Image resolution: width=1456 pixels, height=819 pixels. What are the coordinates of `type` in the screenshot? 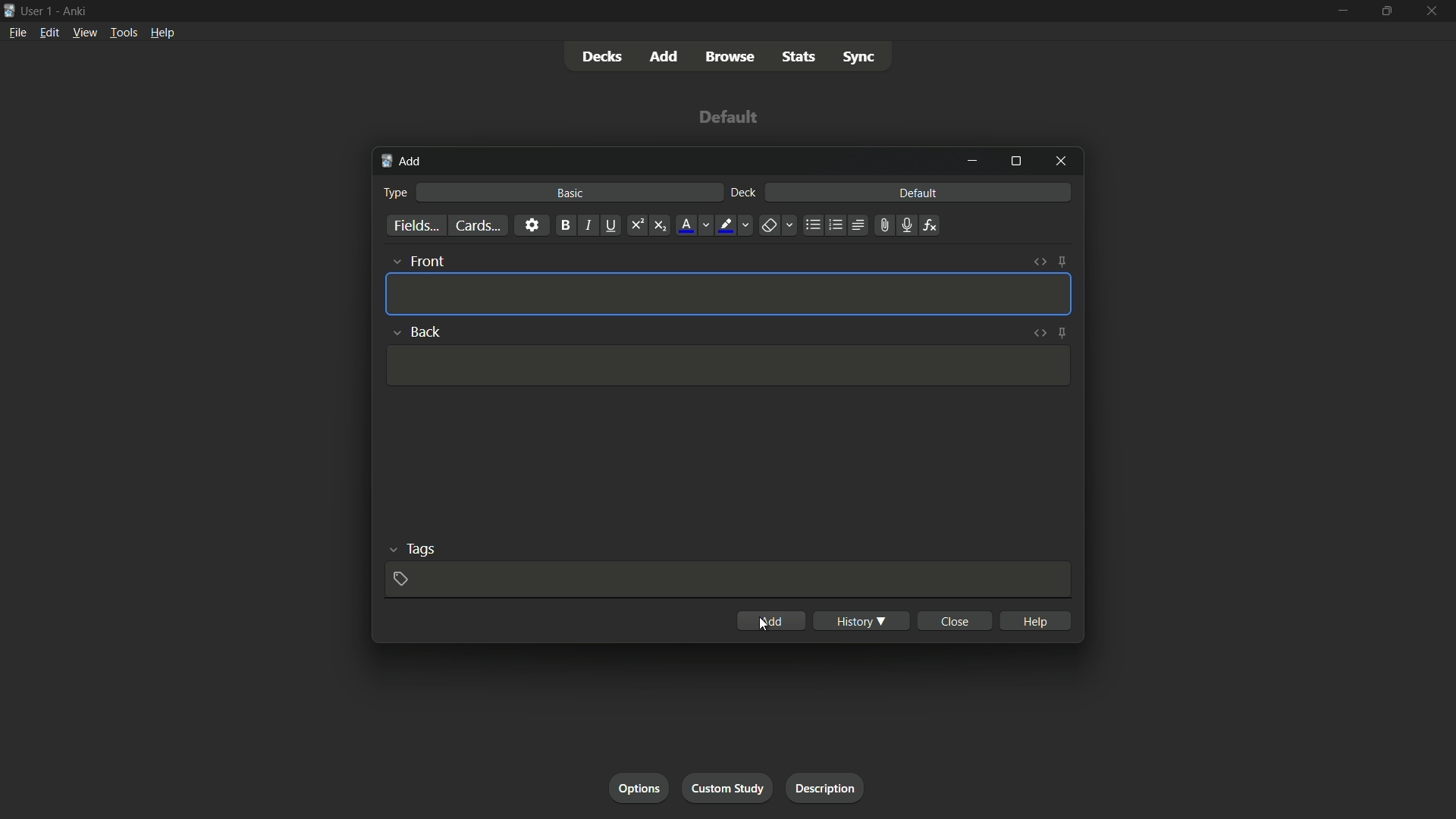 It's located at (397, 191).